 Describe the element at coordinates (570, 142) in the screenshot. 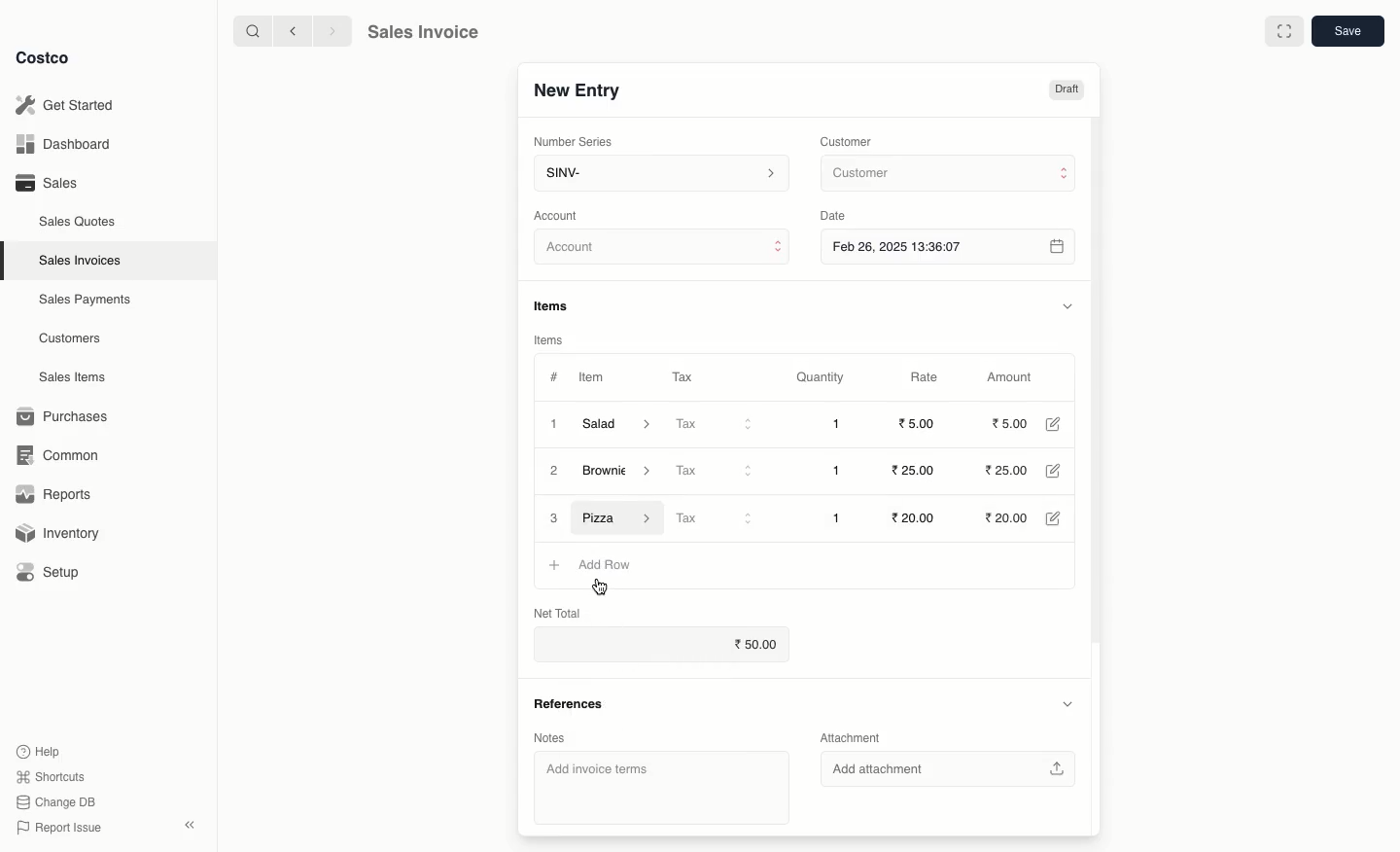

I see `‘Number Series` at that location.